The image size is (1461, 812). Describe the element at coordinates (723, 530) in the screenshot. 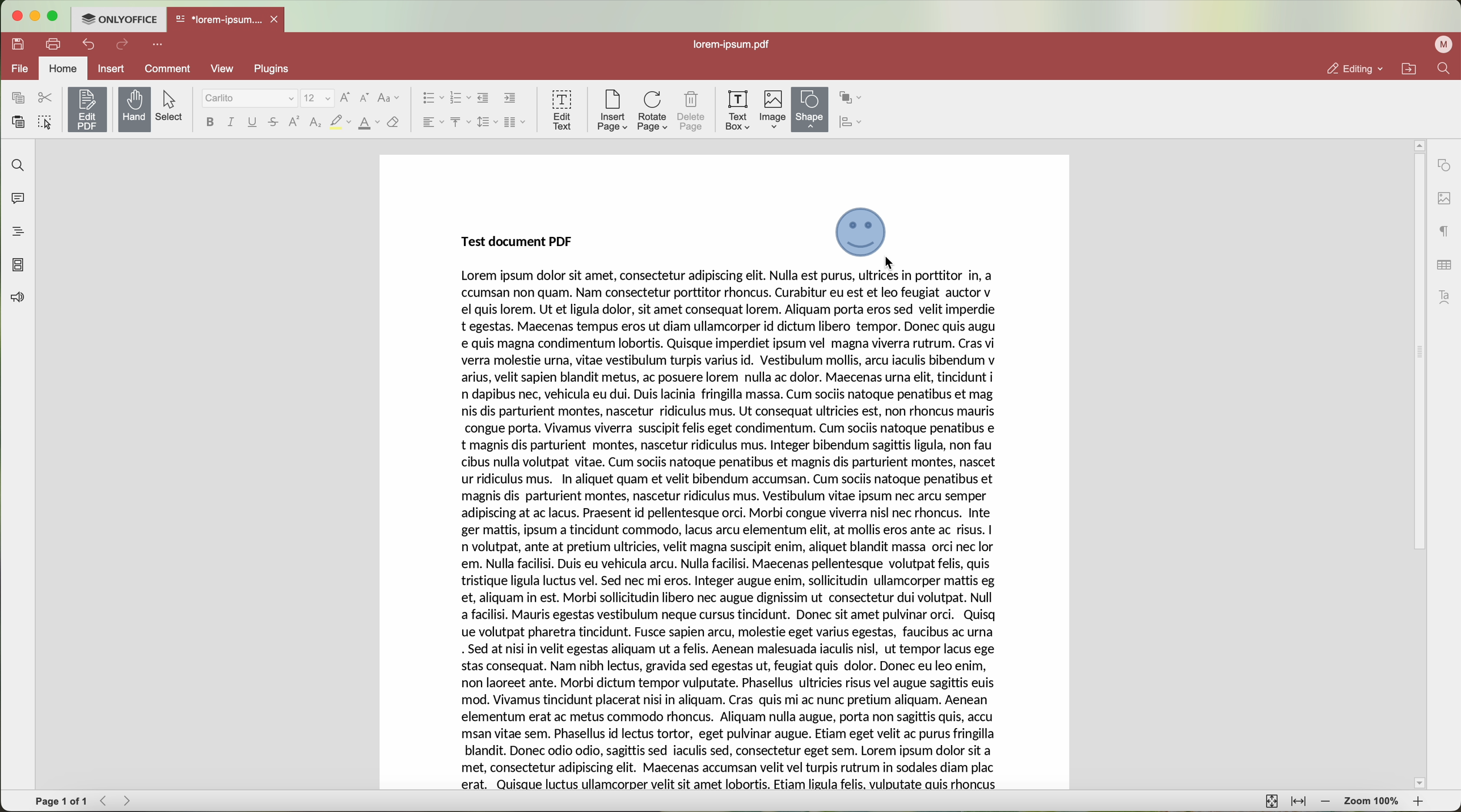

I see `TEST DOCUMENT PDF CONTENT` at that location.